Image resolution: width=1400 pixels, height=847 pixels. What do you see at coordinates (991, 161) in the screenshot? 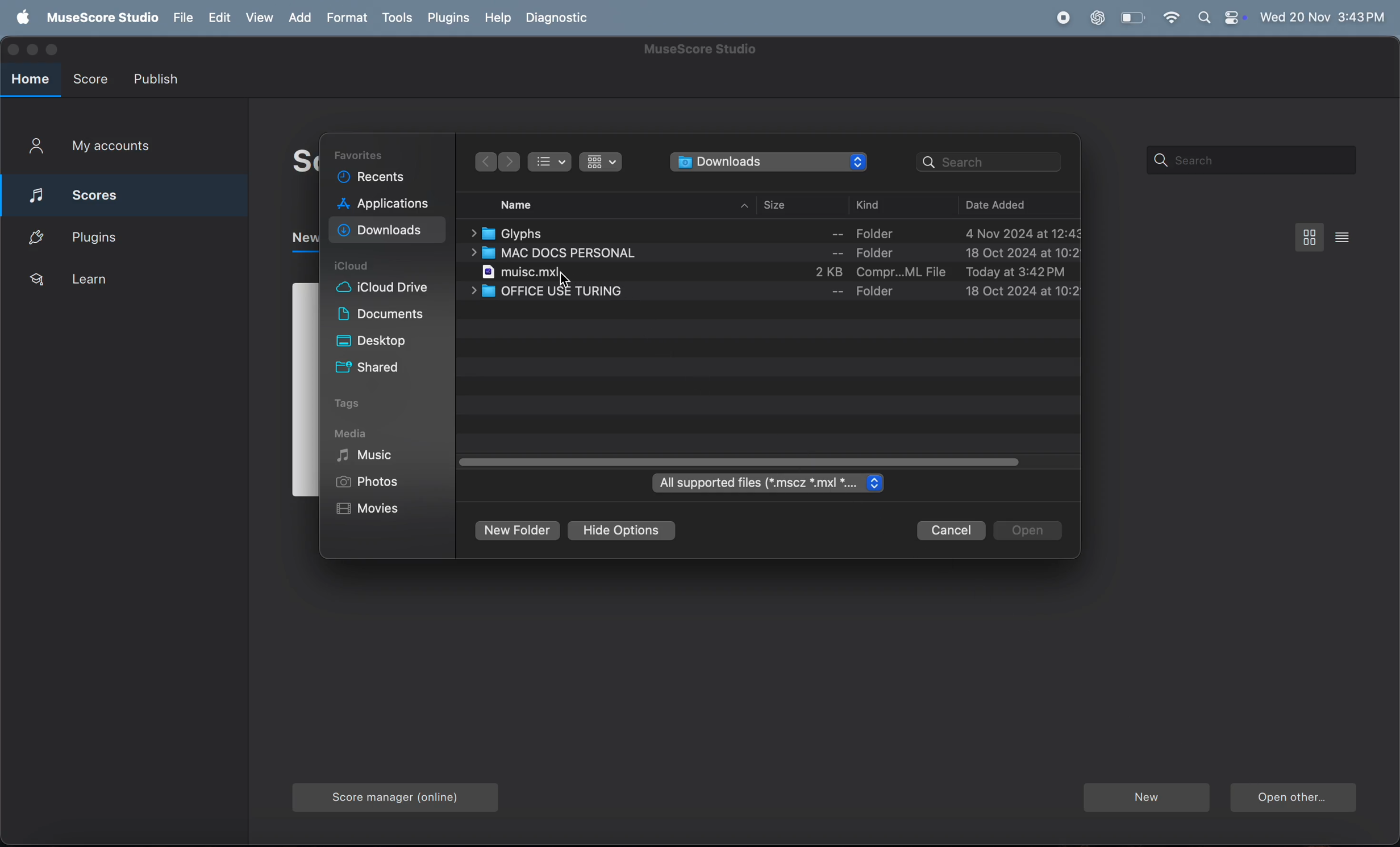
I see `search` at bounding box center [991, 161].